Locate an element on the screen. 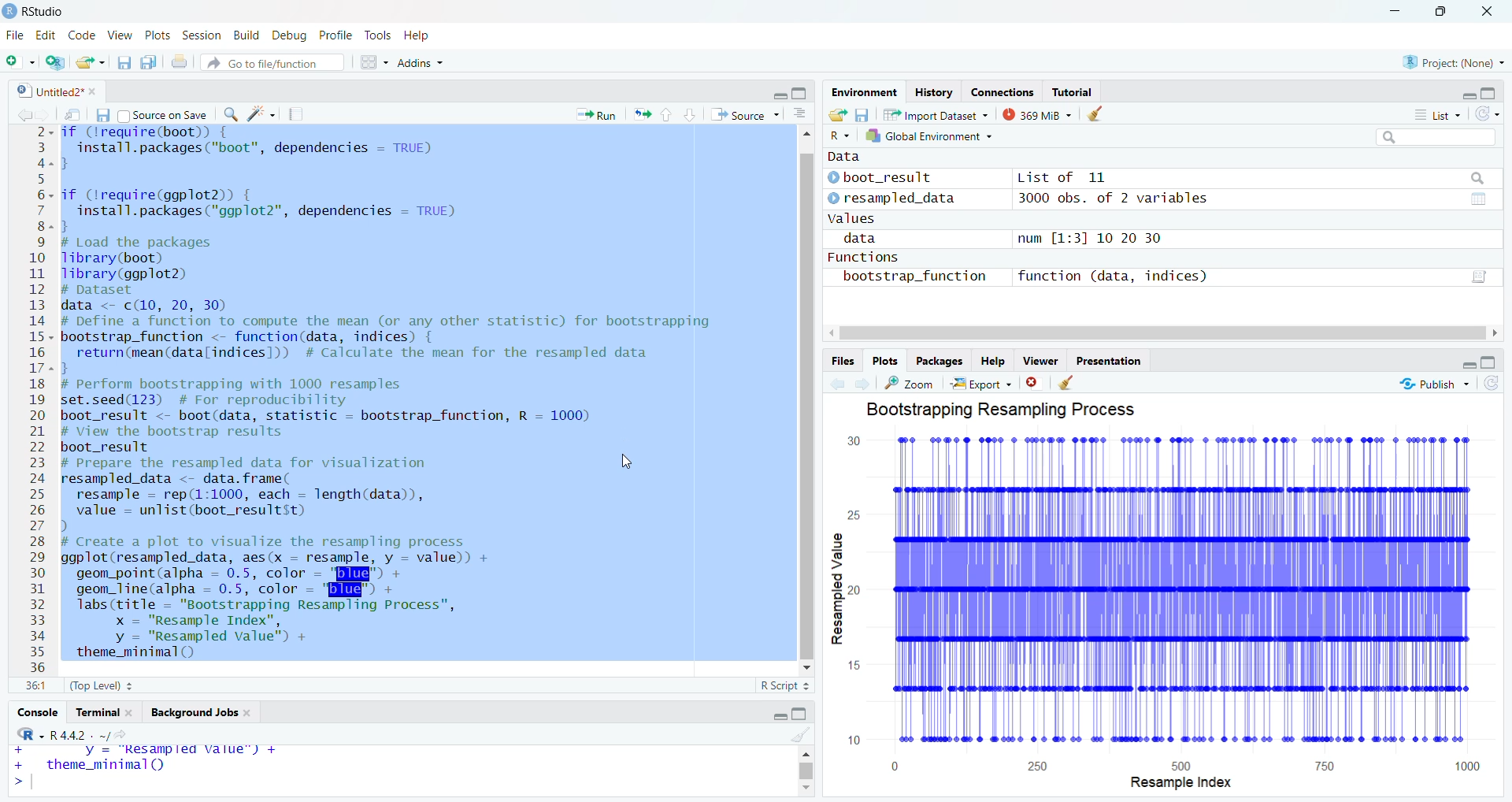 This screenshot has height=802, width=1512. List  is located at coordinates (1432, 113).